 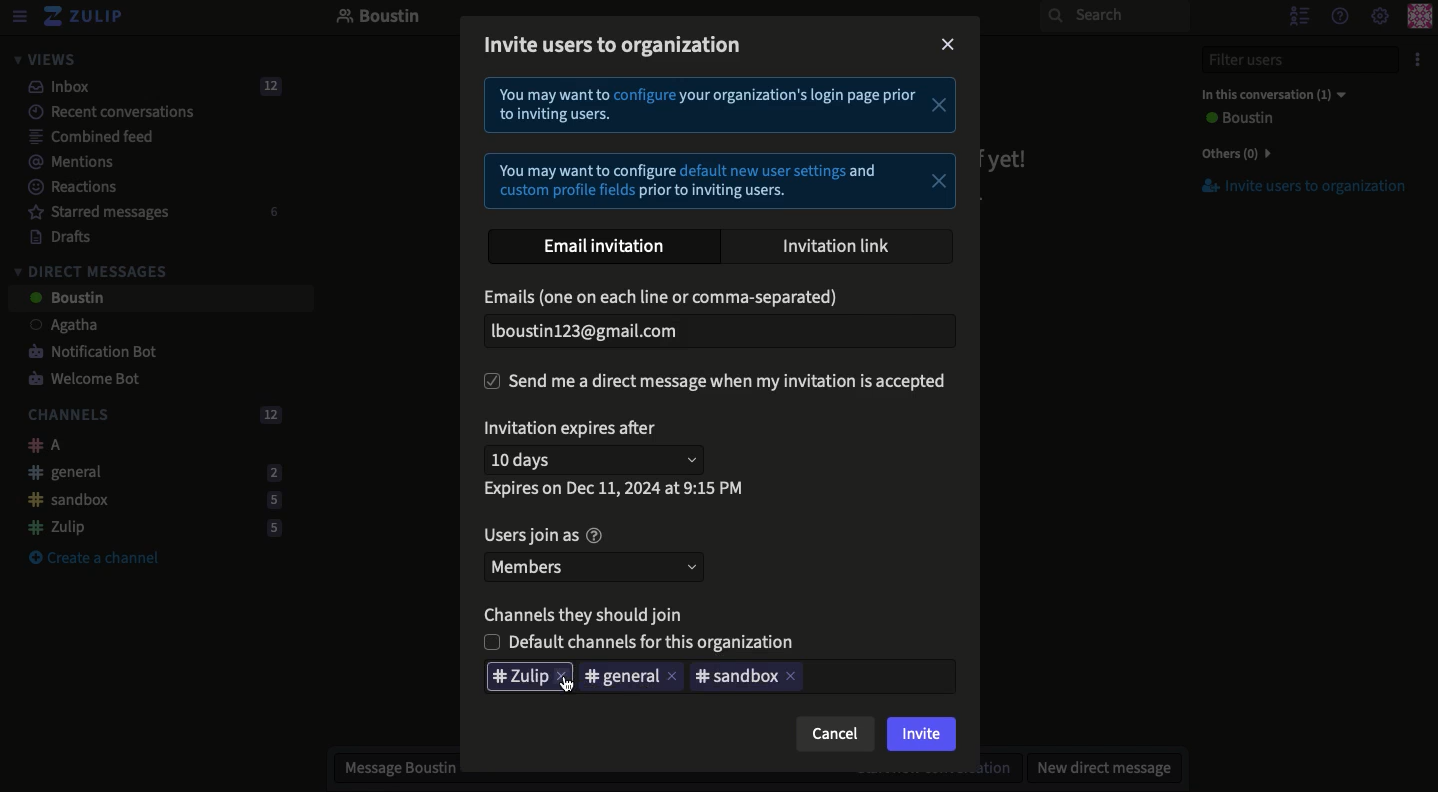 I want to click on Mentions, so click(x=64, y=162).